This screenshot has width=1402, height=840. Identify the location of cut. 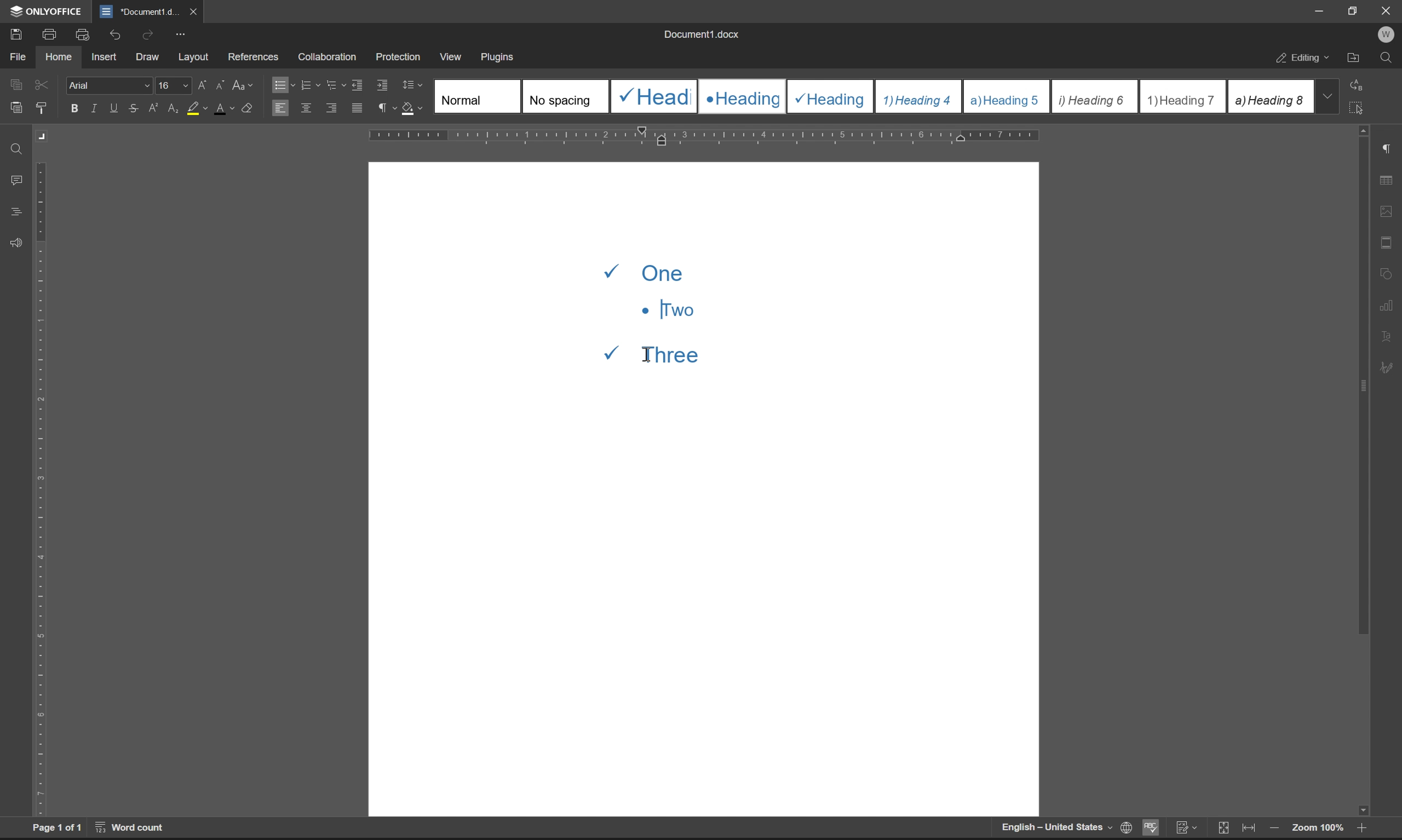
(43, 84).